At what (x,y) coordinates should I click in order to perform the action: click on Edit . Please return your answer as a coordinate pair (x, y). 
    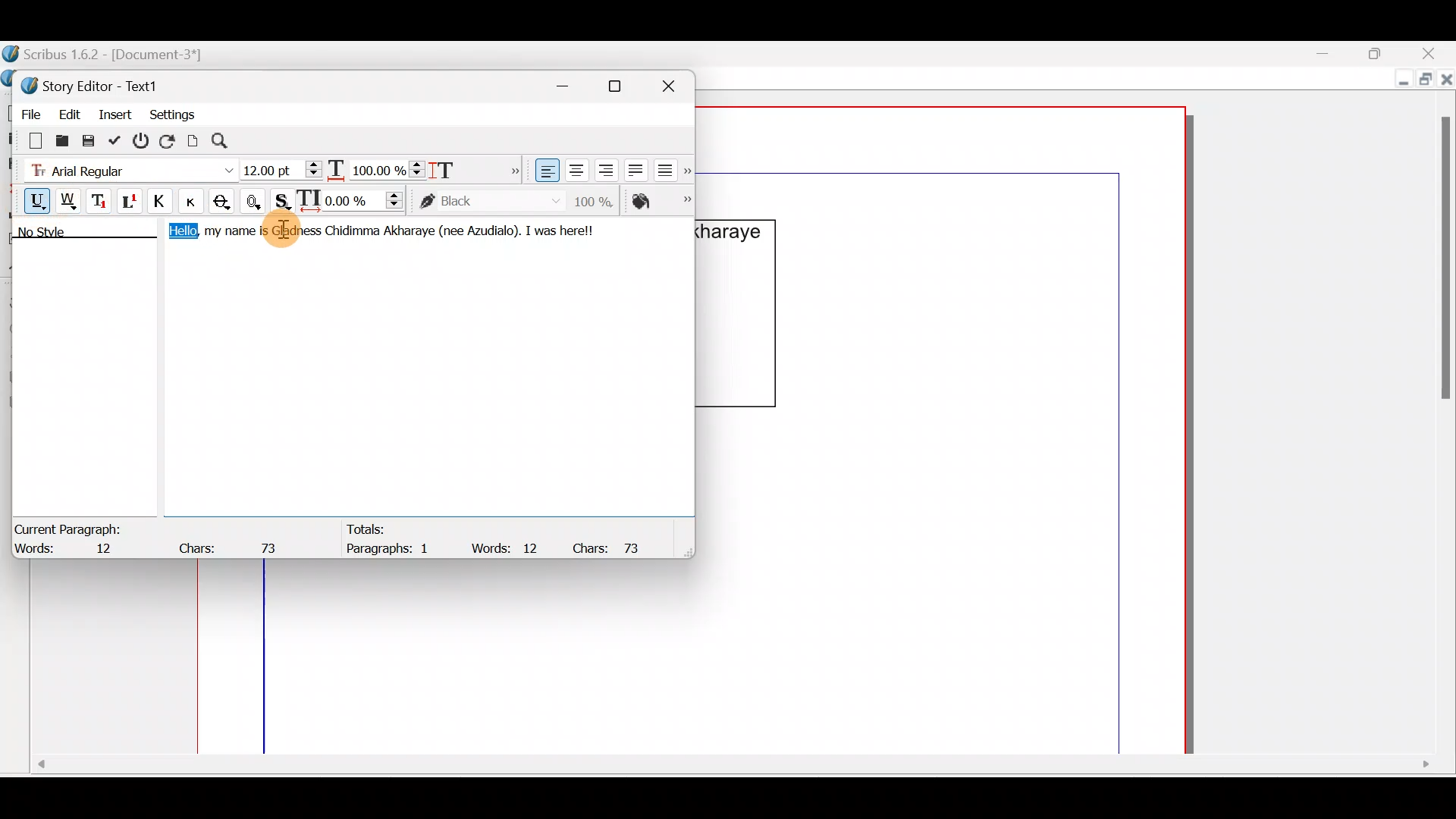
    Looking at the image, I should click on (69, 111).